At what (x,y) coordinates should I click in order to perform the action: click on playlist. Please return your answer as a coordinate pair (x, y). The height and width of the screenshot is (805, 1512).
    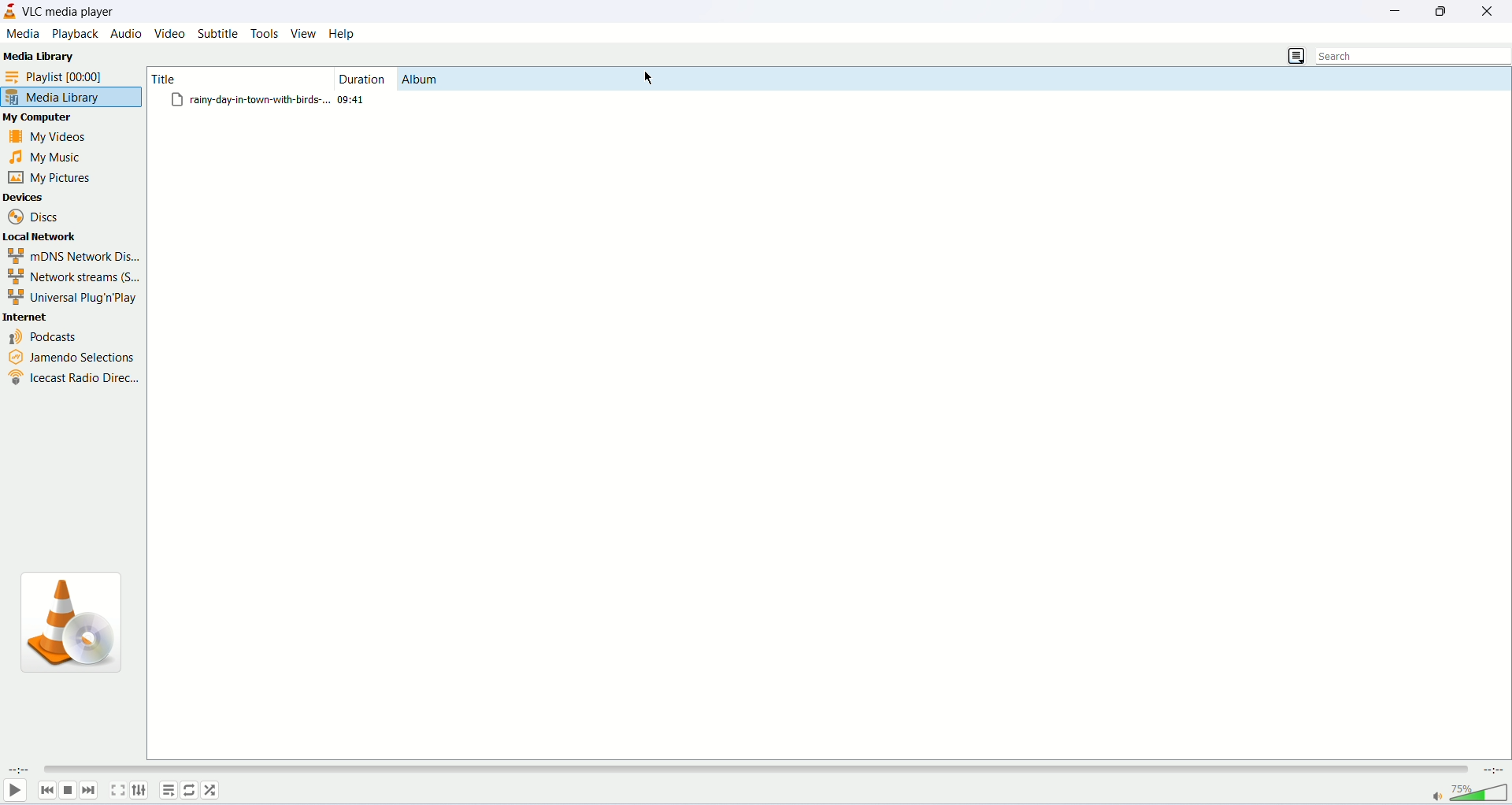
    Looking at the image, I should click on (70, 76).